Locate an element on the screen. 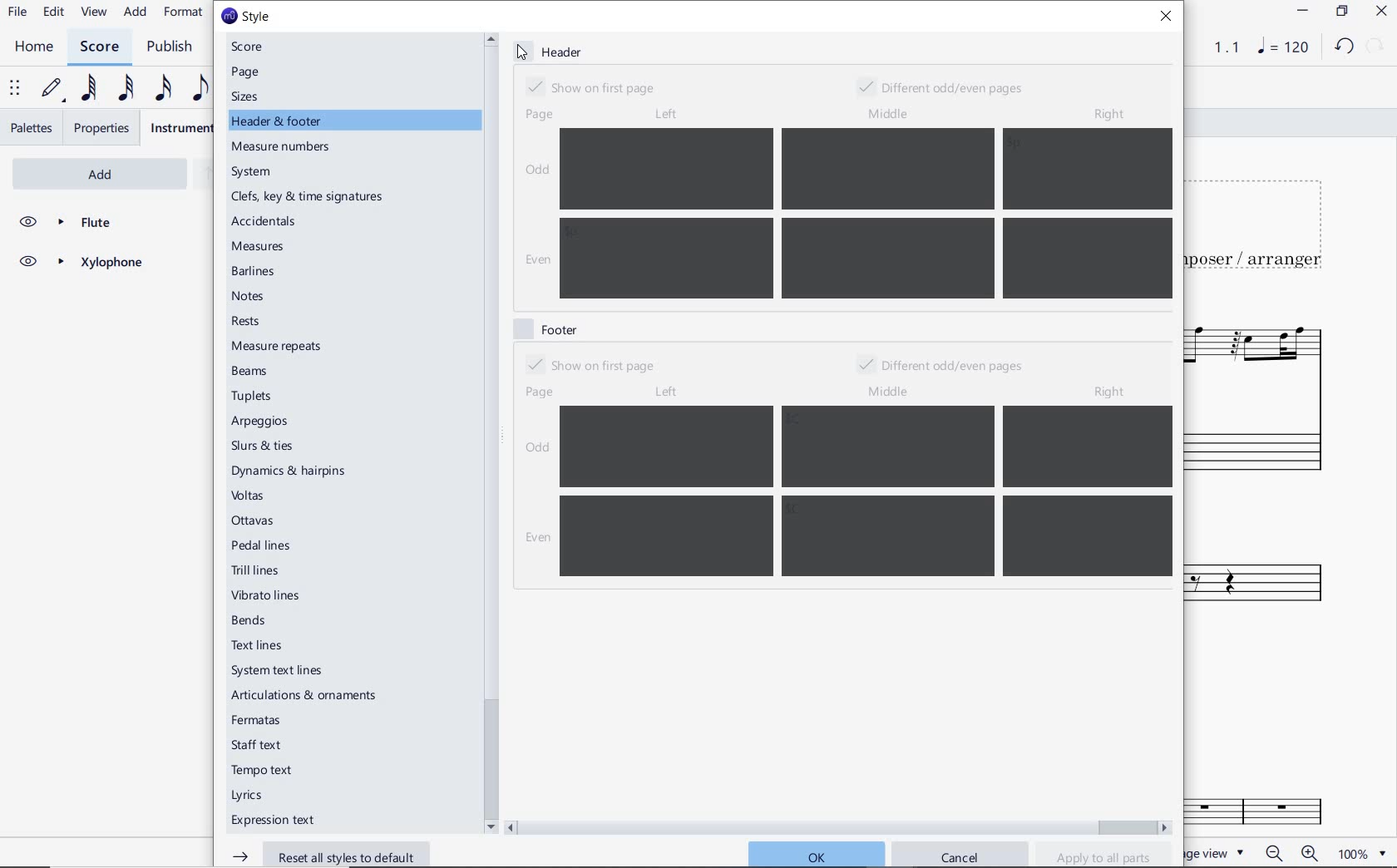 The height and width of the screenshot is (868, 1397). trill lines is located at coordinates (256, 570).